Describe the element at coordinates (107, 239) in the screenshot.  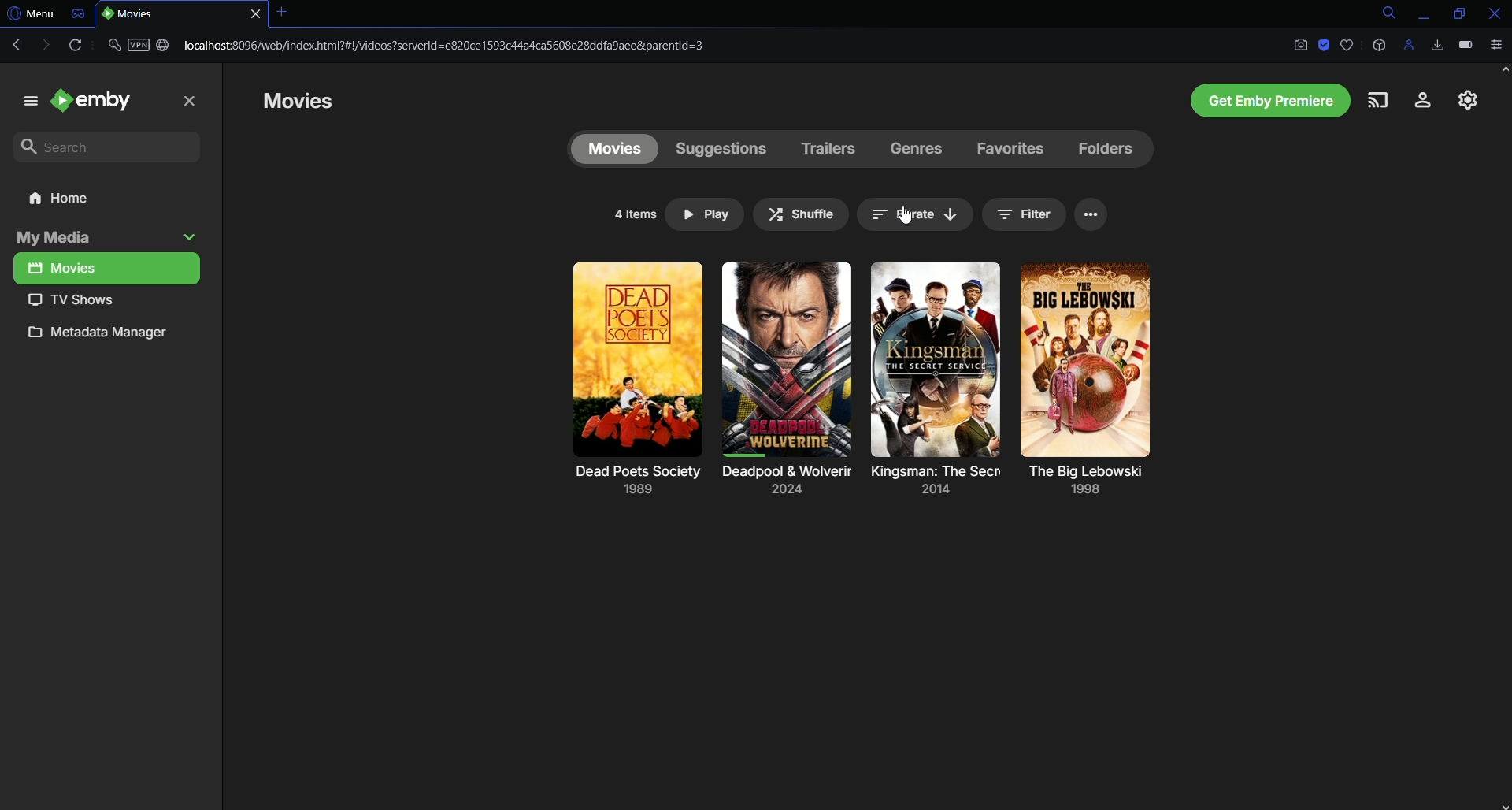
I see `My media` at that location.